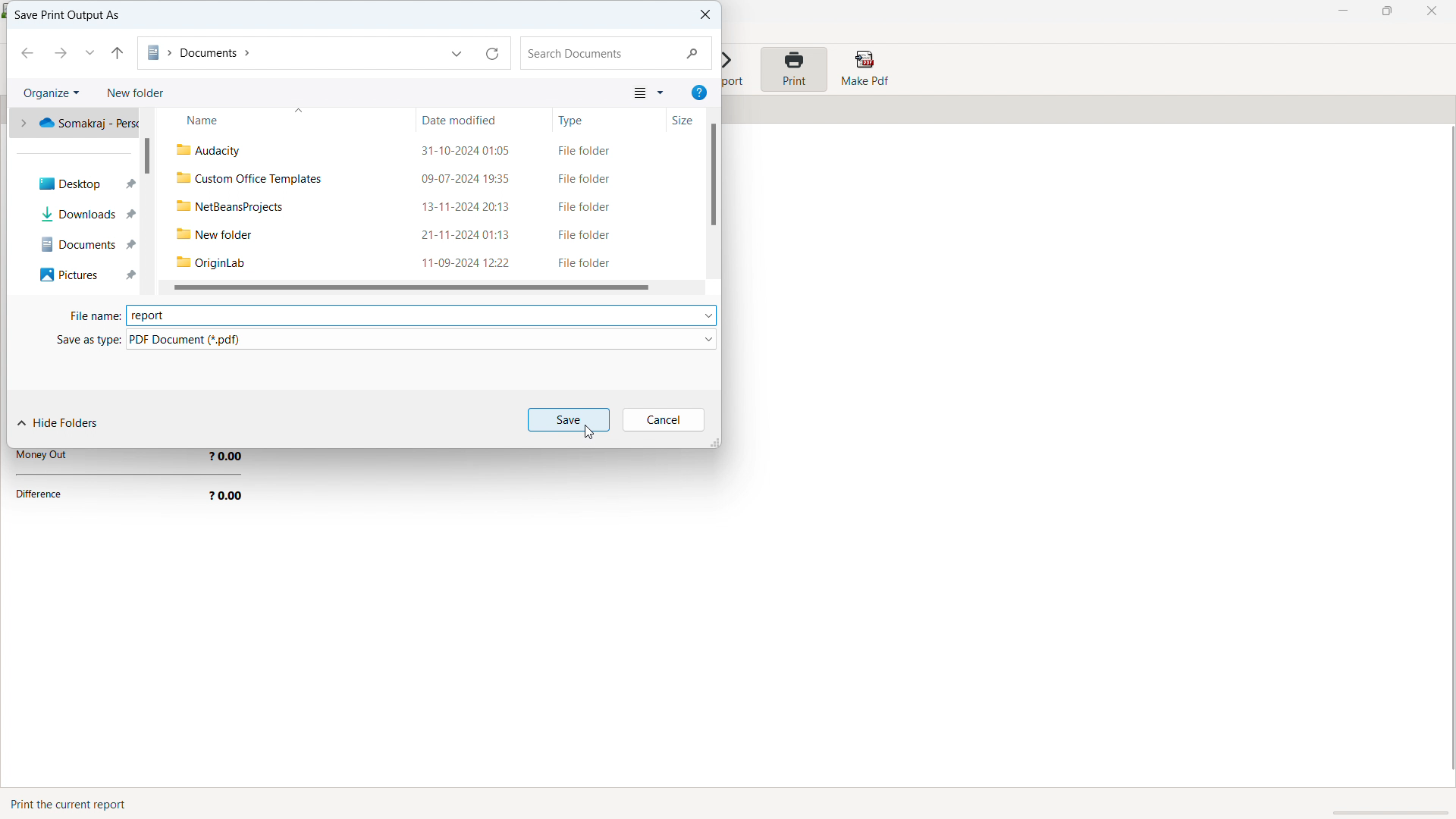  I want to click on hide folders, so click(59, 424).